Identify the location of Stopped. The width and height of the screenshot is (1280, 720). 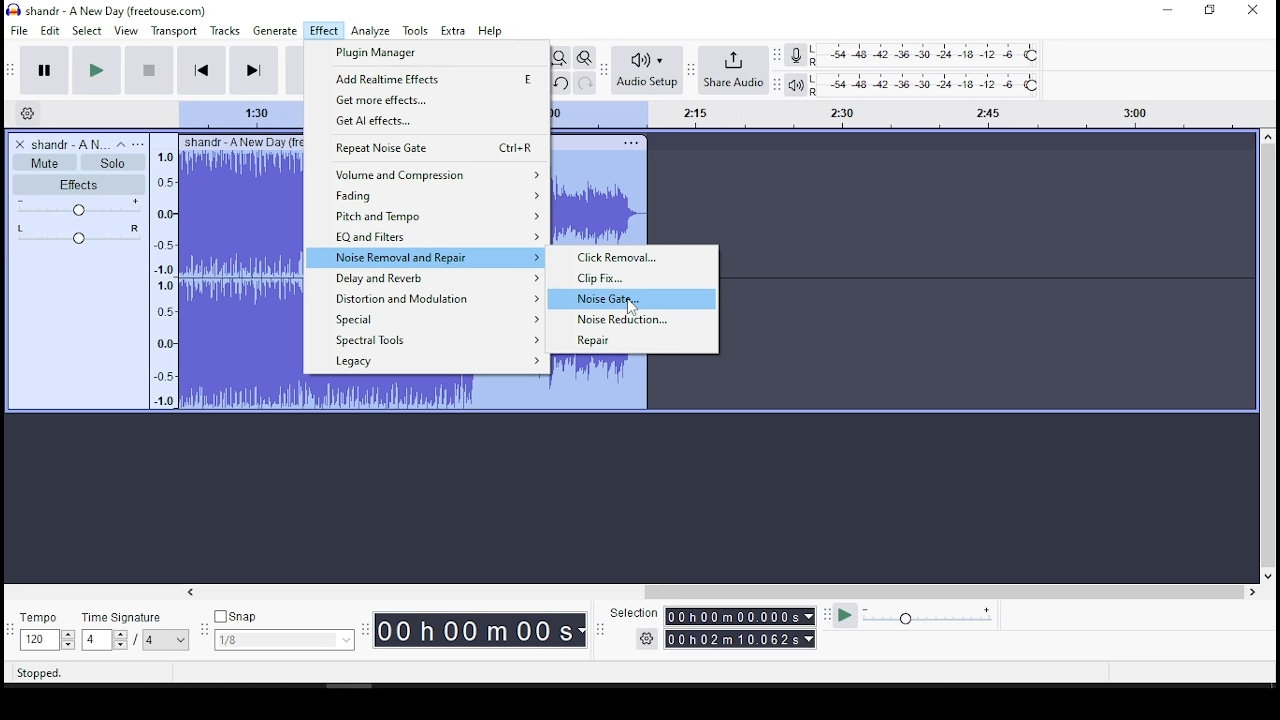
(41, 674).